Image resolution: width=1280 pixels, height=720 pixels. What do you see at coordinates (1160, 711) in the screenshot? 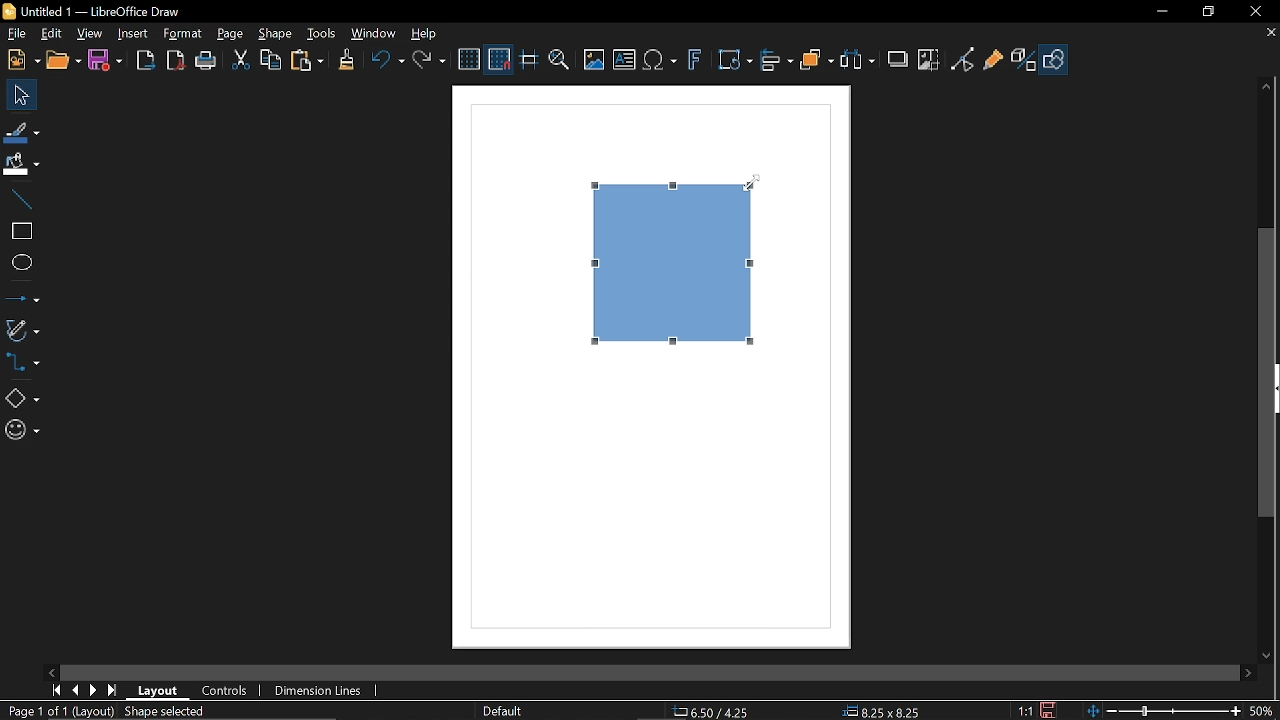
I see `Zoom control` at bounding box center [1160, 711].